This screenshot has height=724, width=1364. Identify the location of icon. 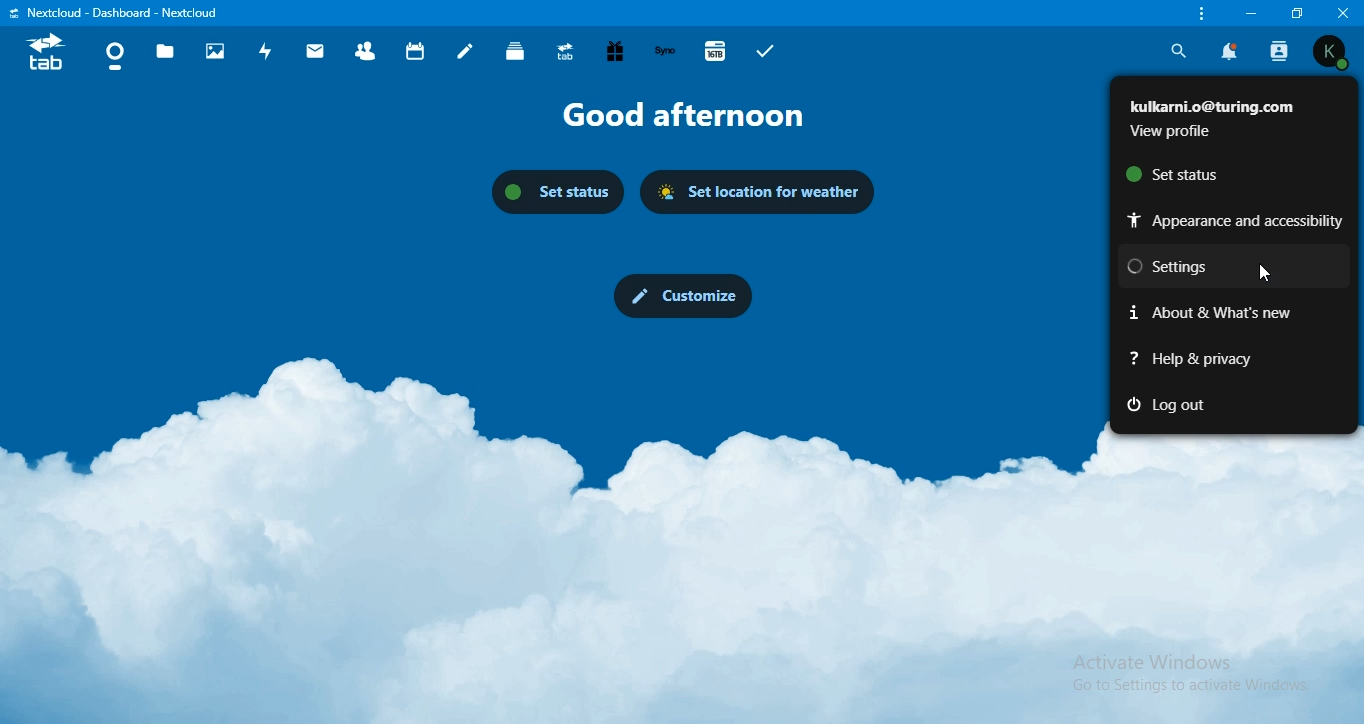
(44, 54).